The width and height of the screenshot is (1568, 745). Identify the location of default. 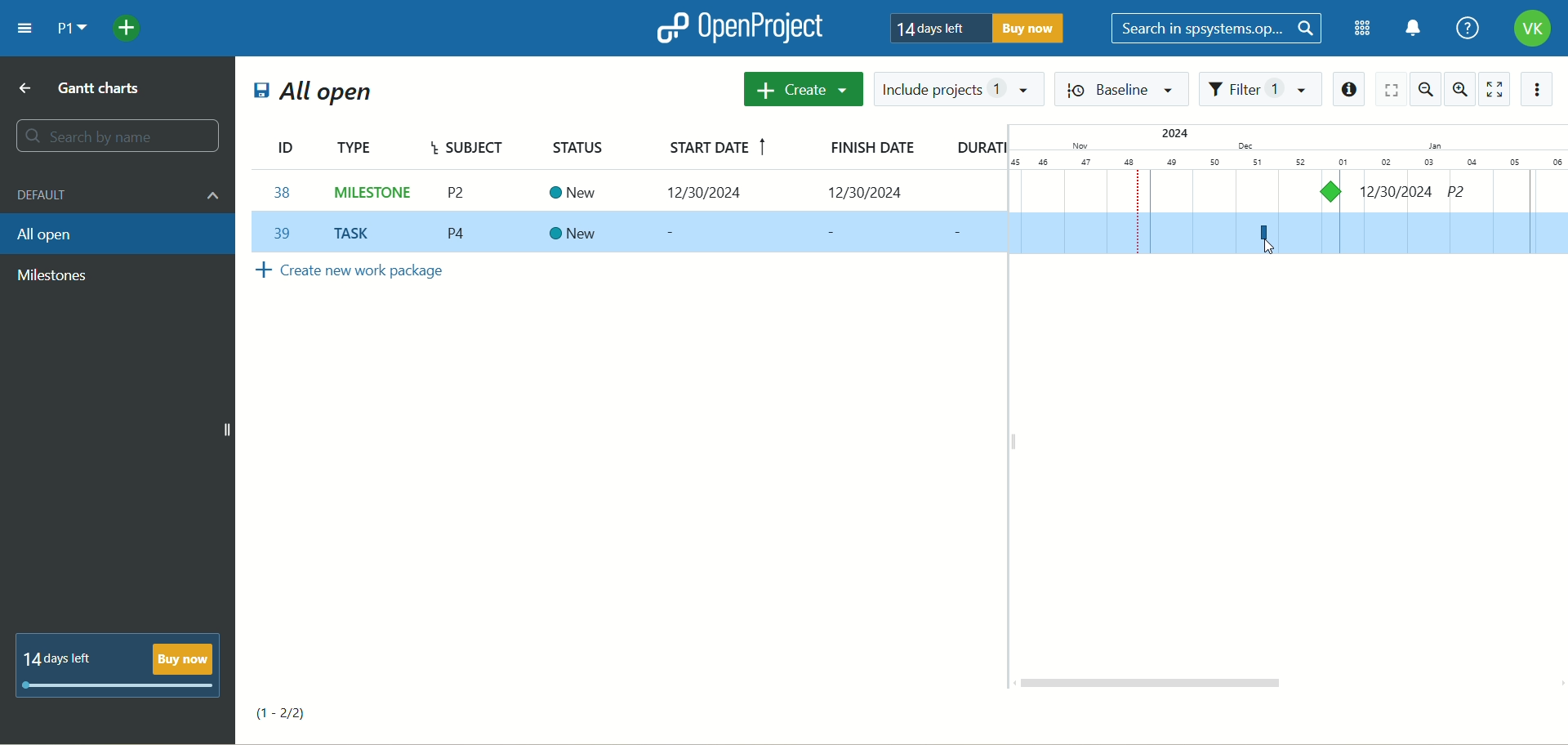
(120, 194).